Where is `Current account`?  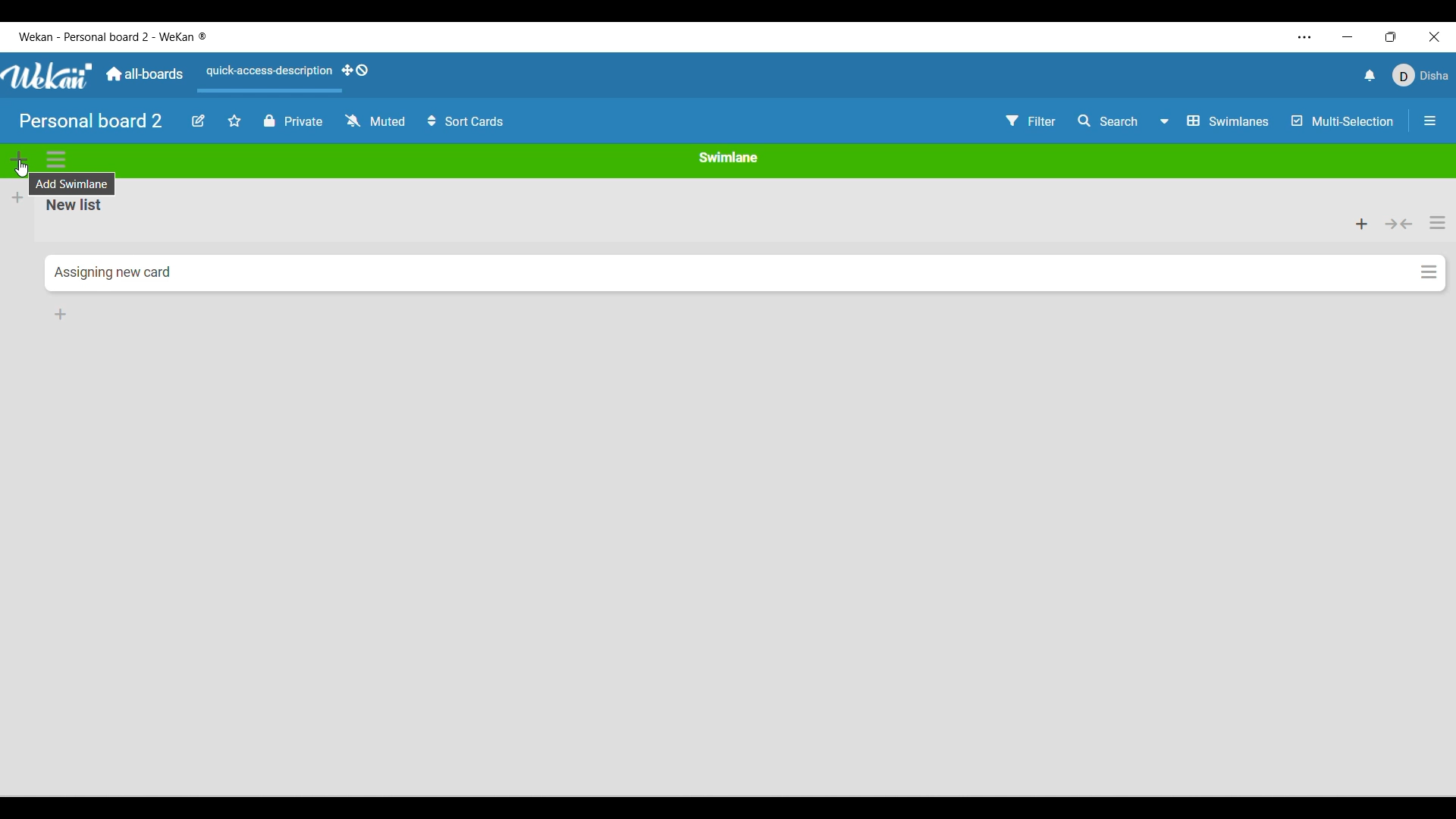 Current account is located at coordinates (1421, 75).